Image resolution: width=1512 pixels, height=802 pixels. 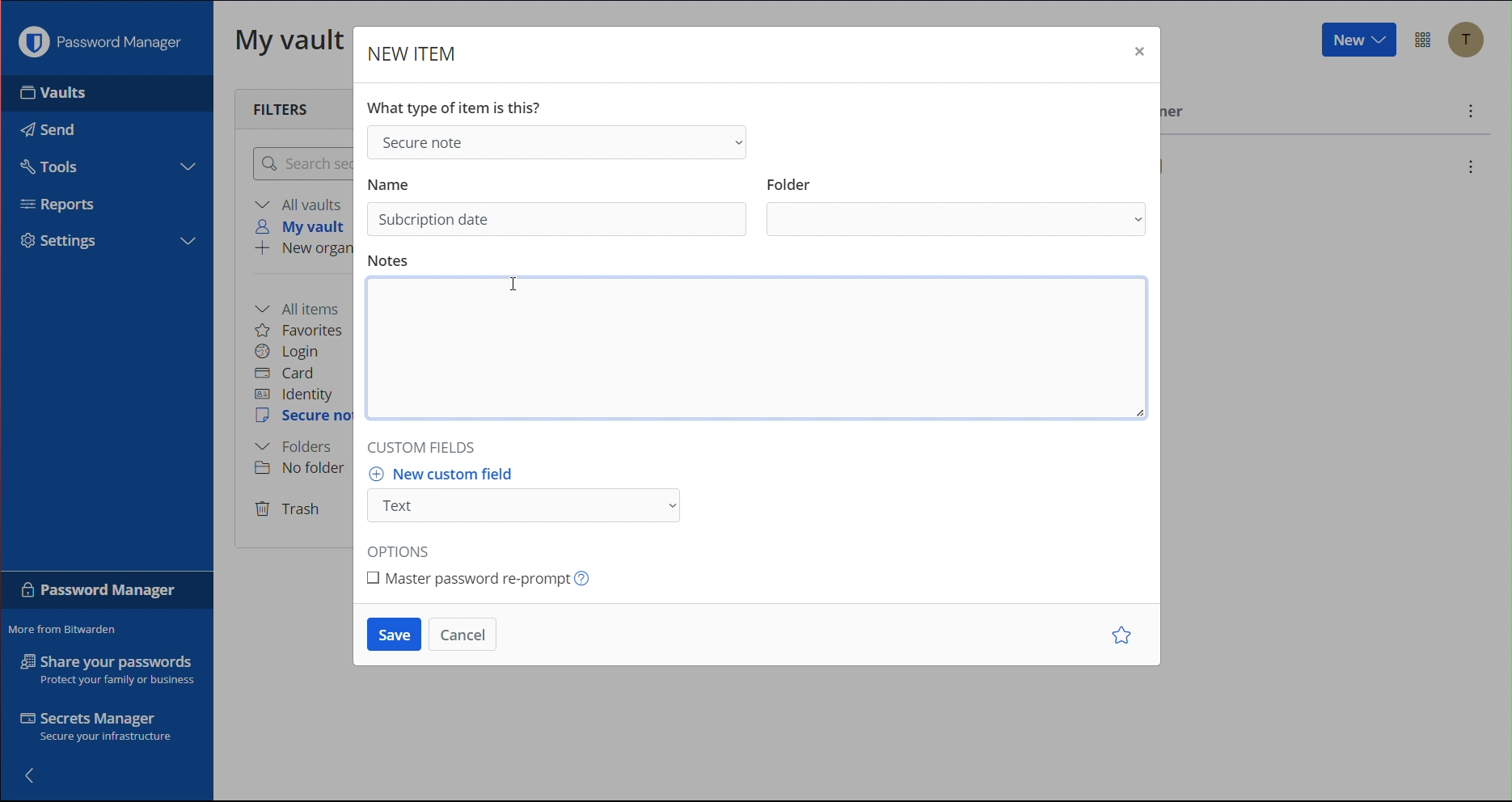 I want to click on Account, so click(x=1472, y=42).